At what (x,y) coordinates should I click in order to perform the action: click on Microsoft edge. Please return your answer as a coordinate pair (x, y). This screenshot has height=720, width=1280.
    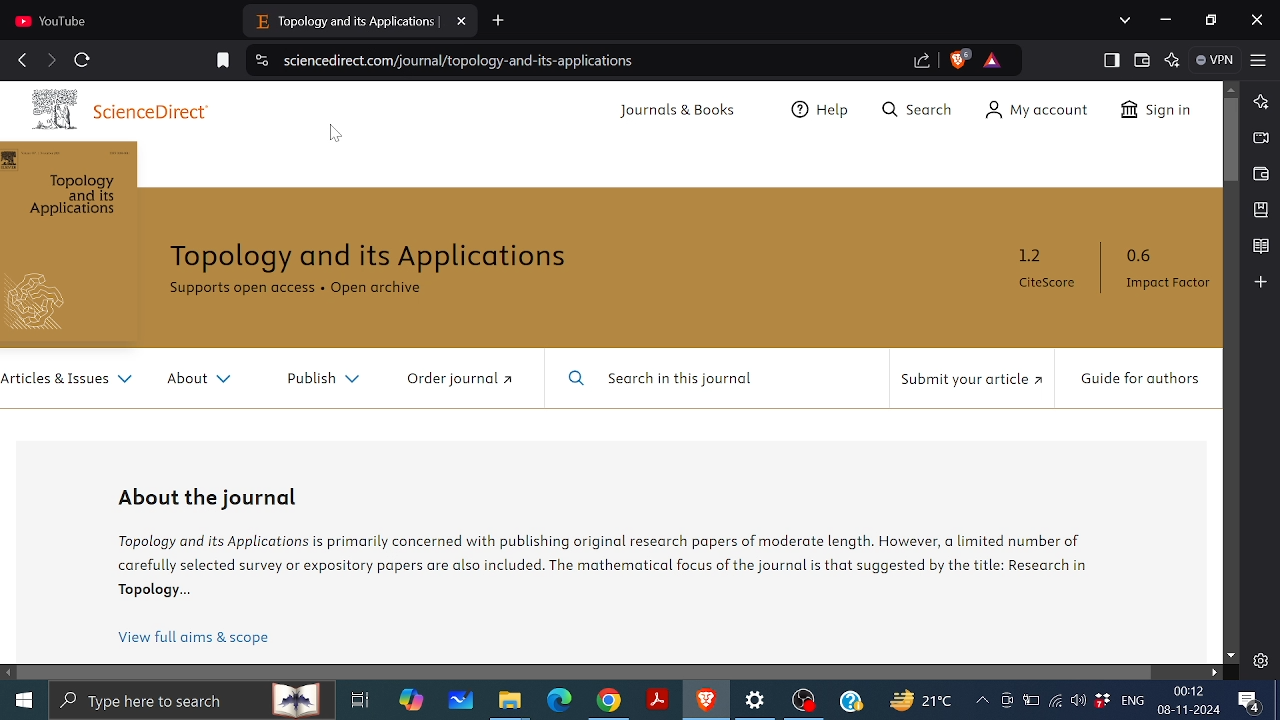
    Looking at the image, I should click on (560, 701).